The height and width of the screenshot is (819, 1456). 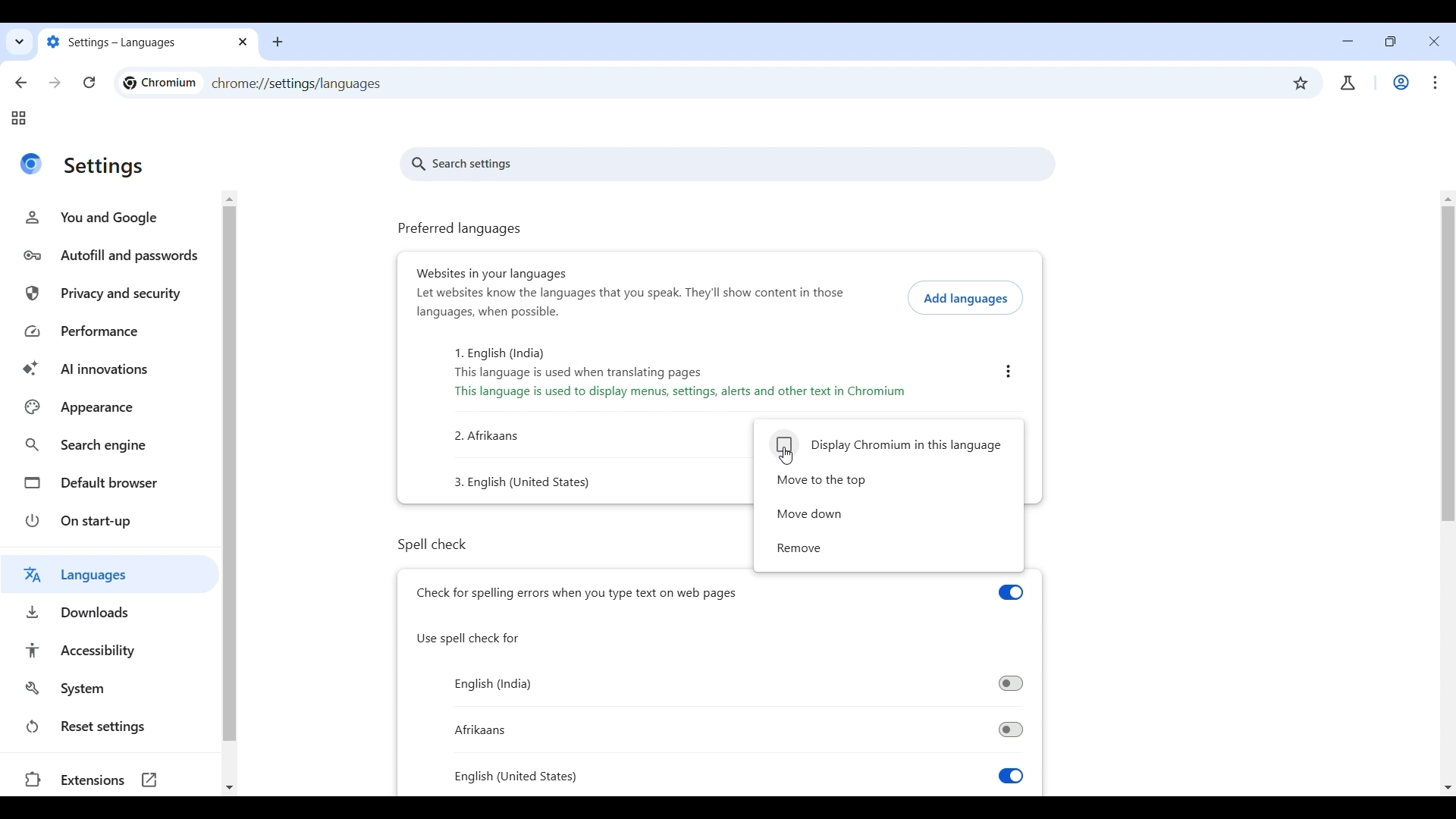 What do you see at coordinates (114, 332) in the screenshot?
I see `Performance` at bounding box center [114, 332].